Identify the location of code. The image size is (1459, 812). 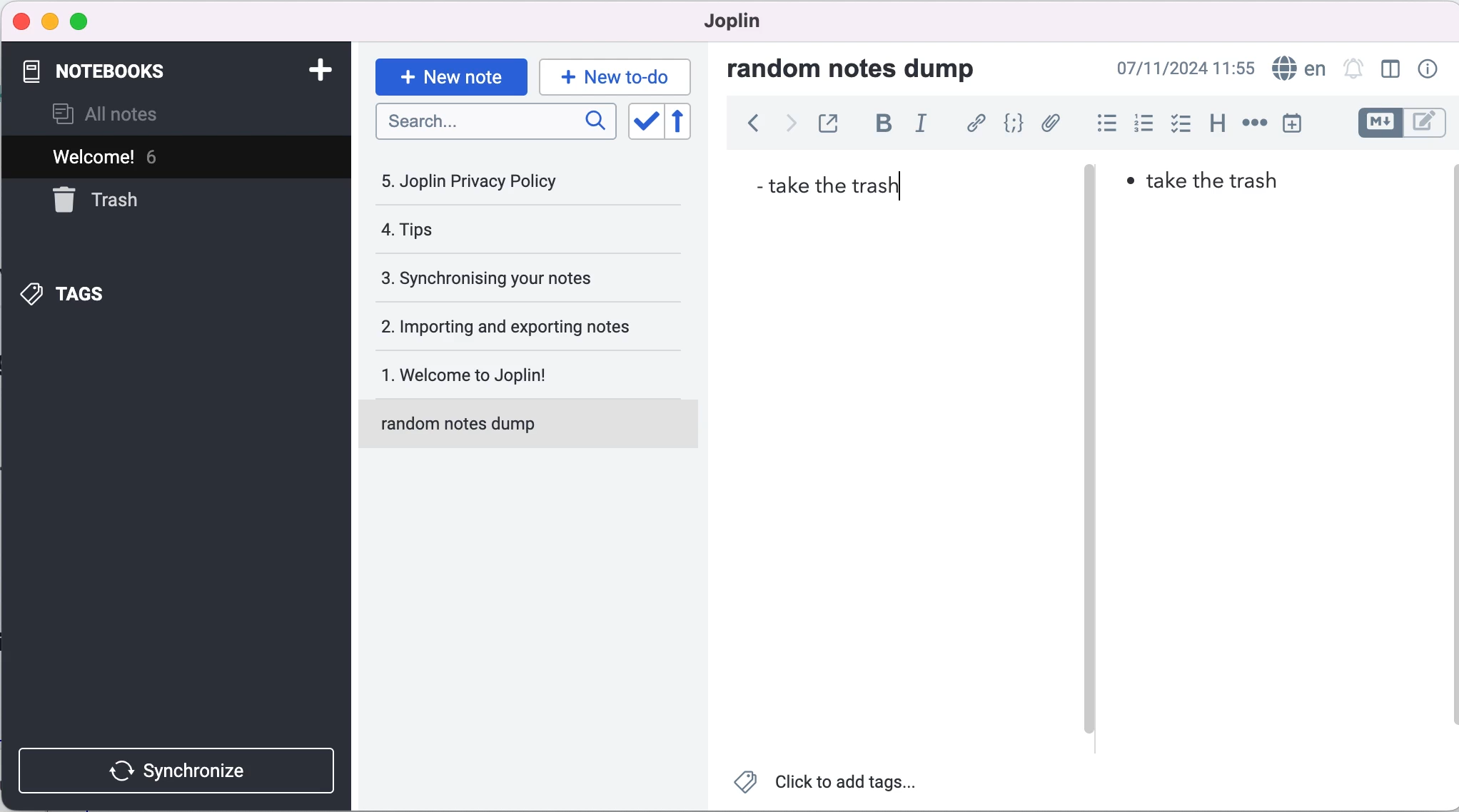
(1010, 125).